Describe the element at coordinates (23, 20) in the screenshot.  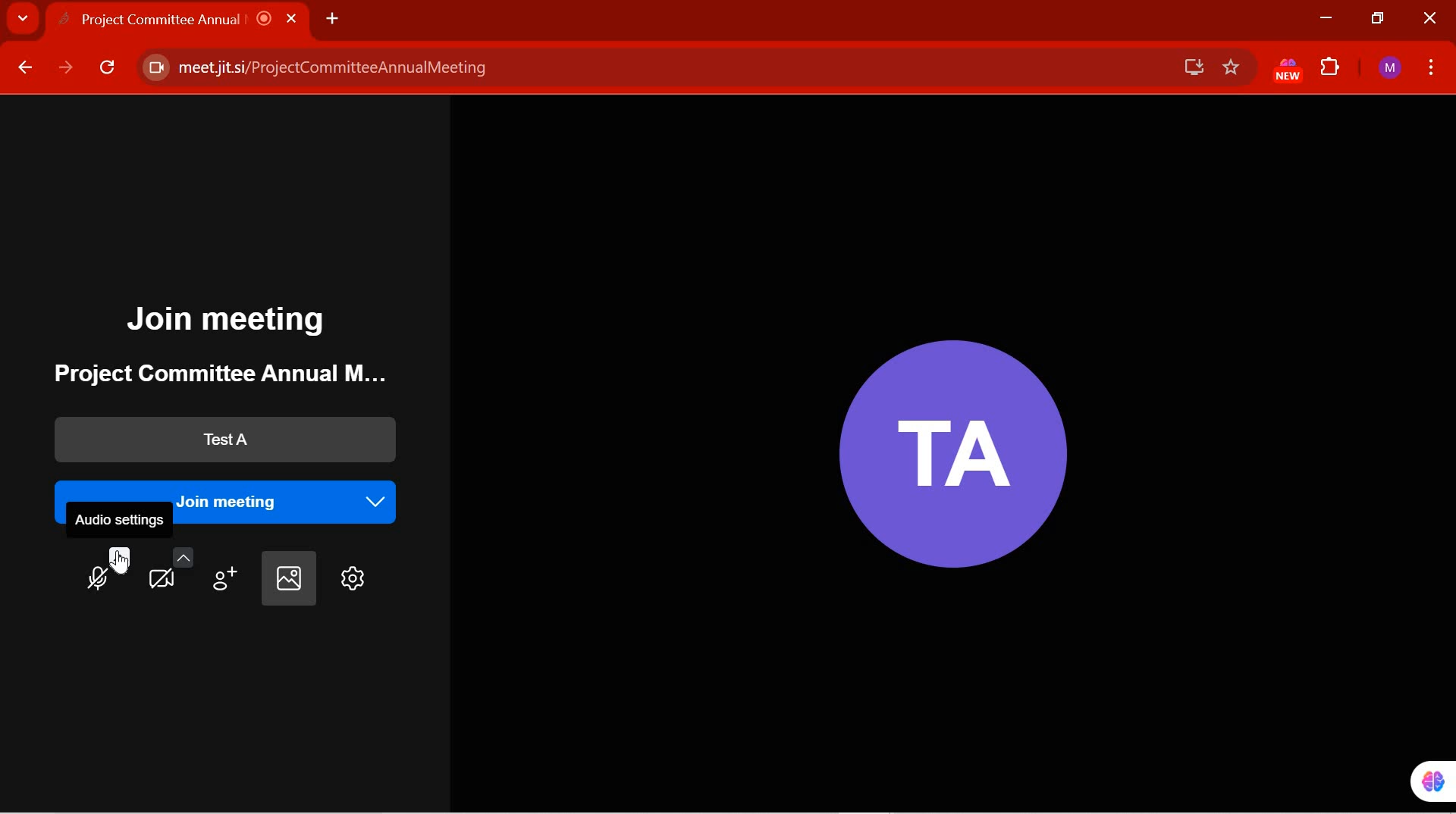
I see `SEARCH TABS` at that location.